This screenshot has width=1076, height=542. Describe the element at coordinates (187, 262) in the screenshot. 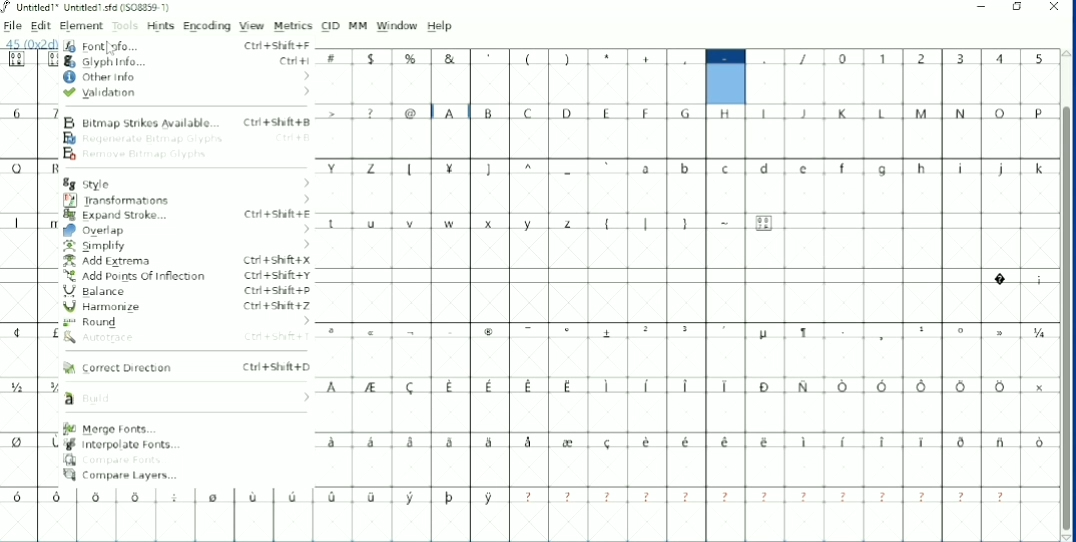

I see `Add Extrema` at that location.